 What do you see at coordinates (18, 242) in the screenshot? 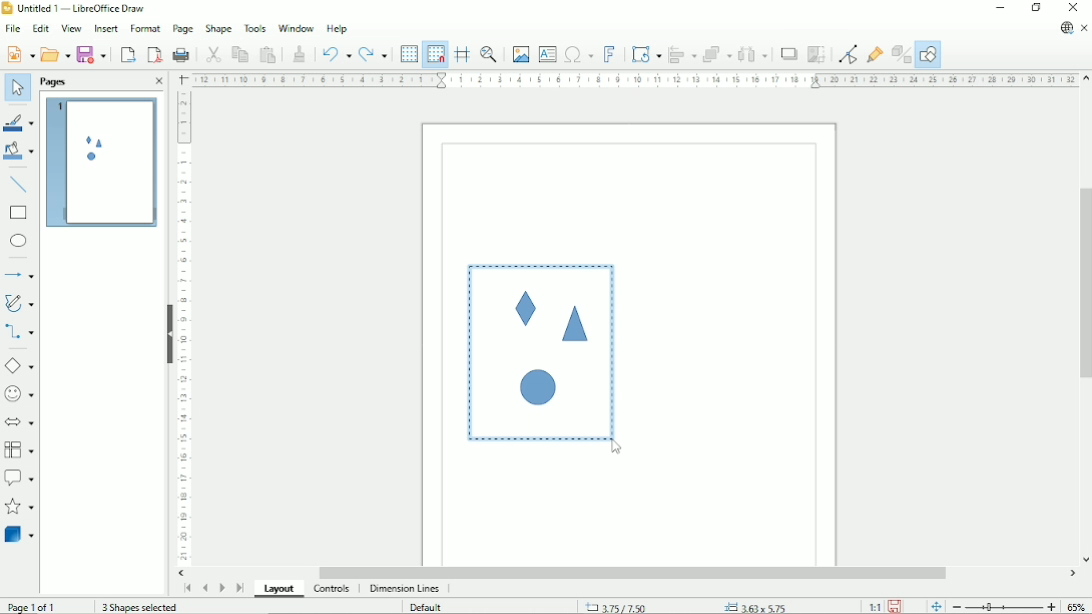
I see `Ellipse` at bounding box center [18, 242].